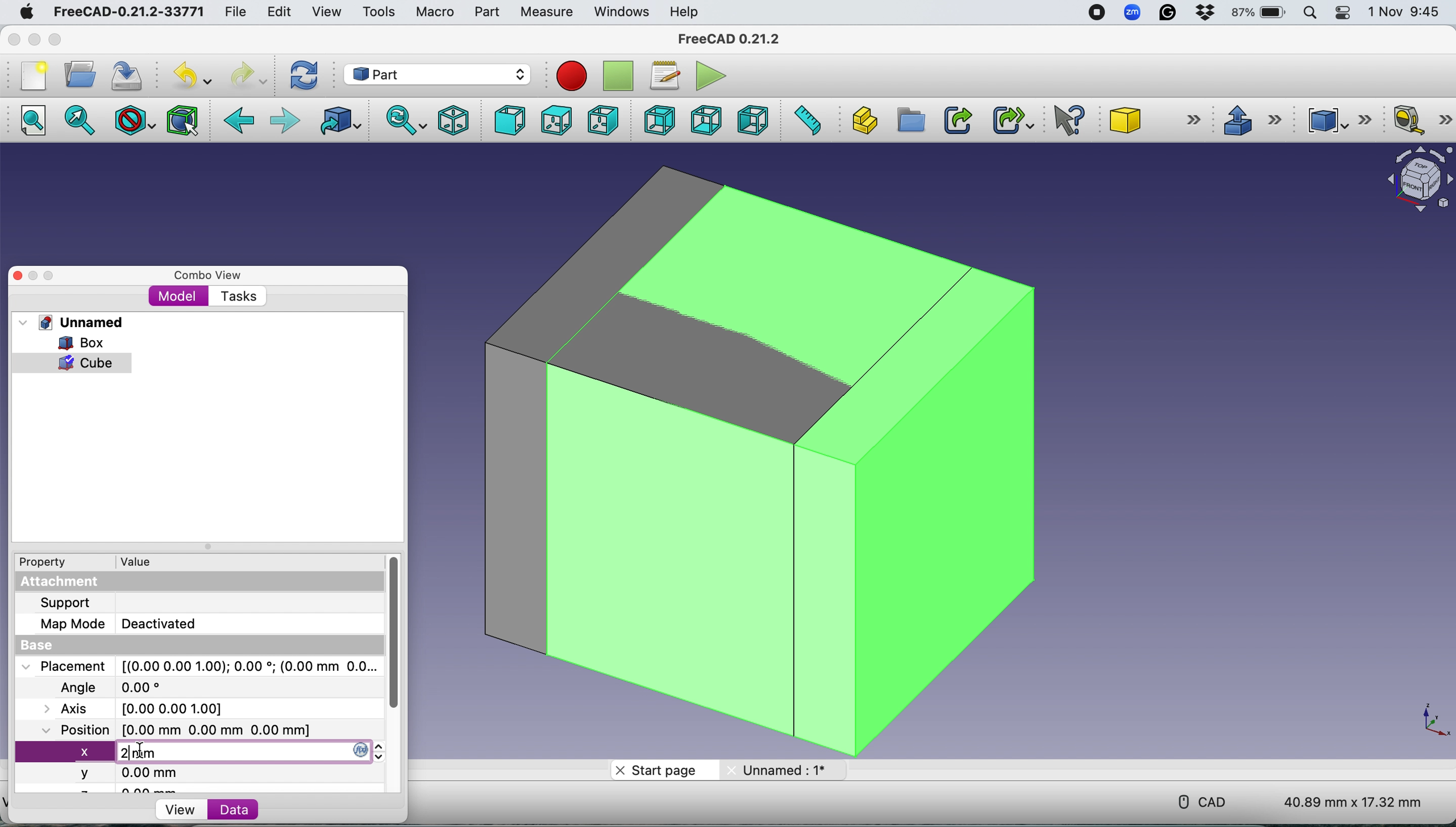  Describe the element at coordinates (435, 13) in the screenshot. I see `Macro` at that location.